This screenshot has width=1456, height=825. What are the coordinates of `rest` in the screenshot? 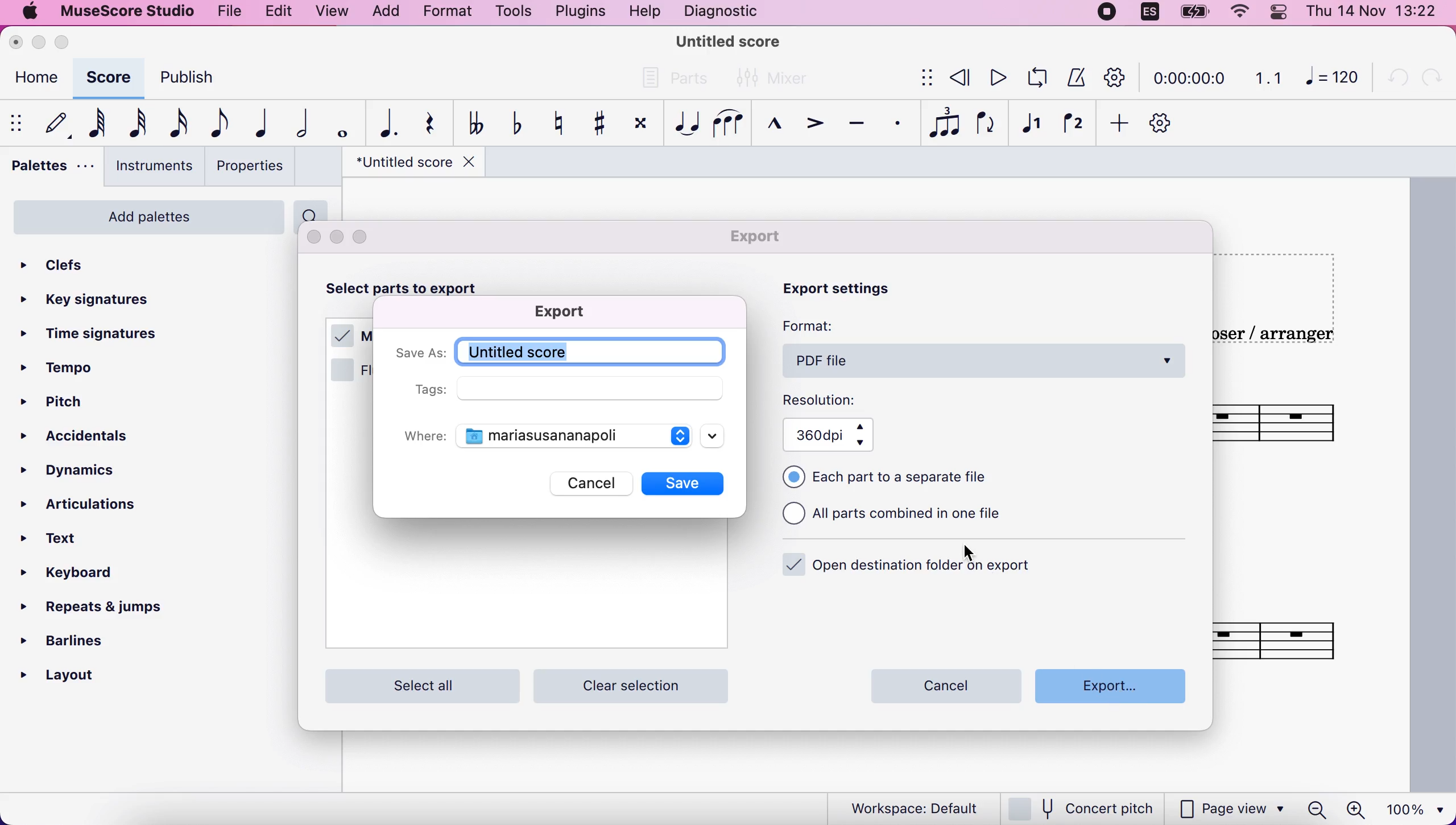 It's located at (428, 125).